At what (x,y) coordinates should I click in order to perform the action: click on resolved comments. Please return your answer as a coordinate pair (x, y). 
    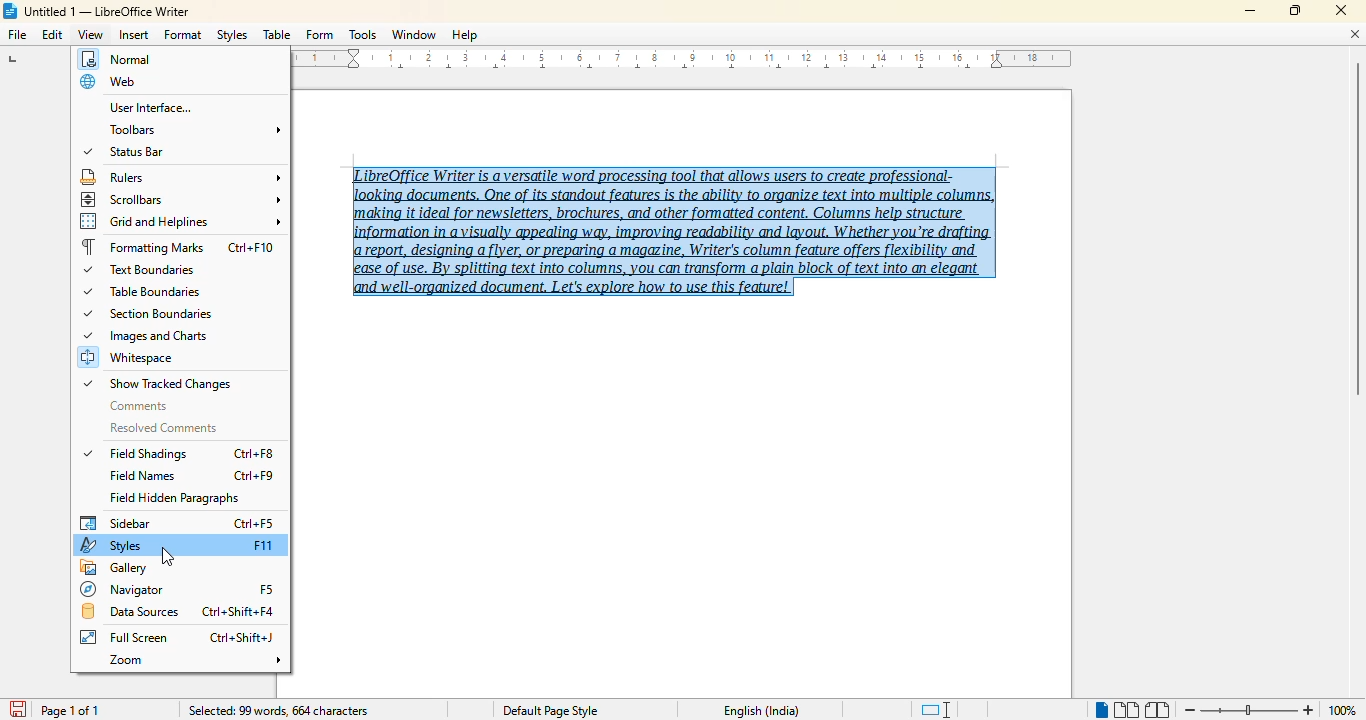
    Looking at the image, I should click on (166, 428).